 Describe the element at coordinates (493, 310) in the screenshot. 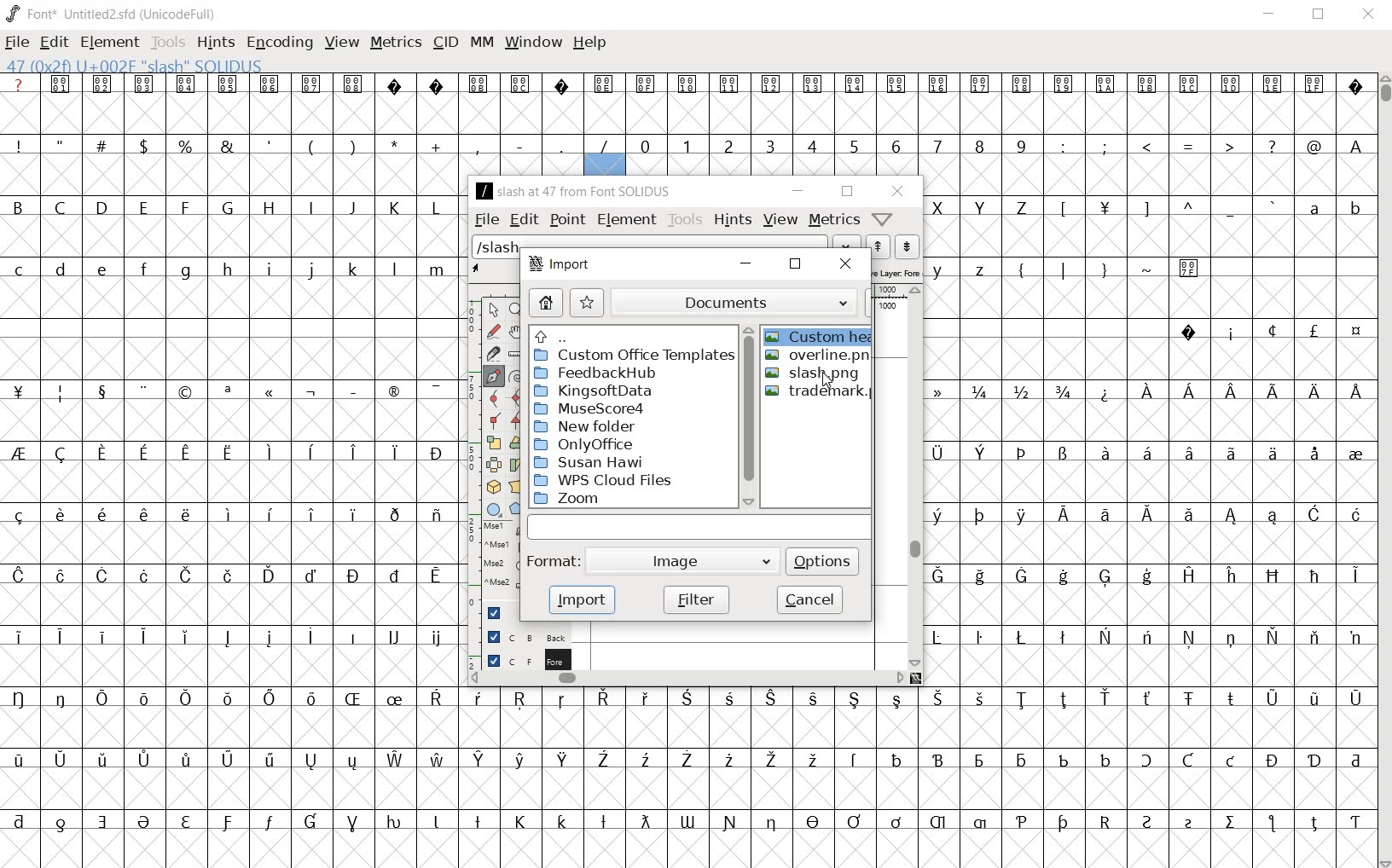

I see `pointer` at that location.